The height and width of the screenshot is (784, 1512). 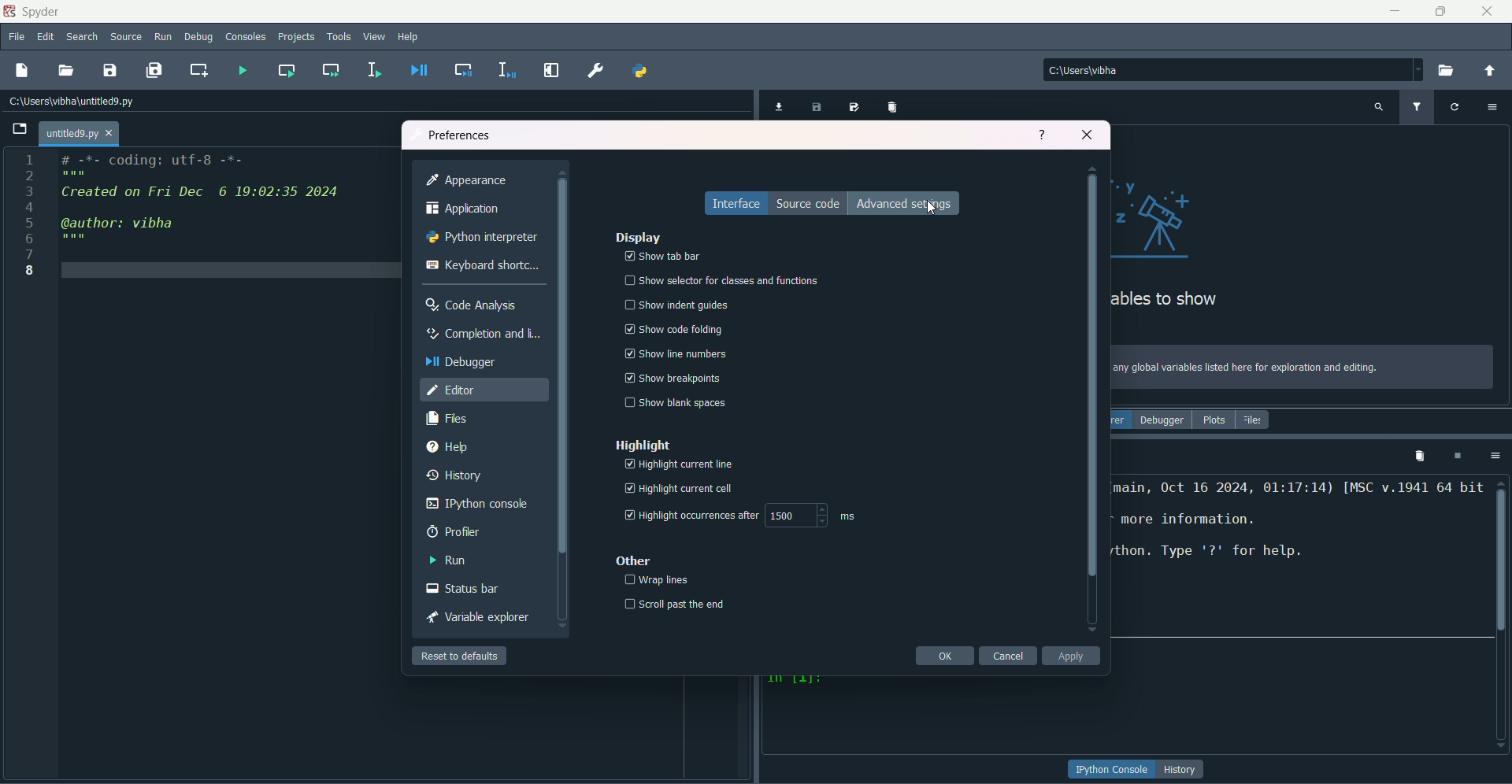 I want to click on maximize current pane, so click(x=552, y=70).